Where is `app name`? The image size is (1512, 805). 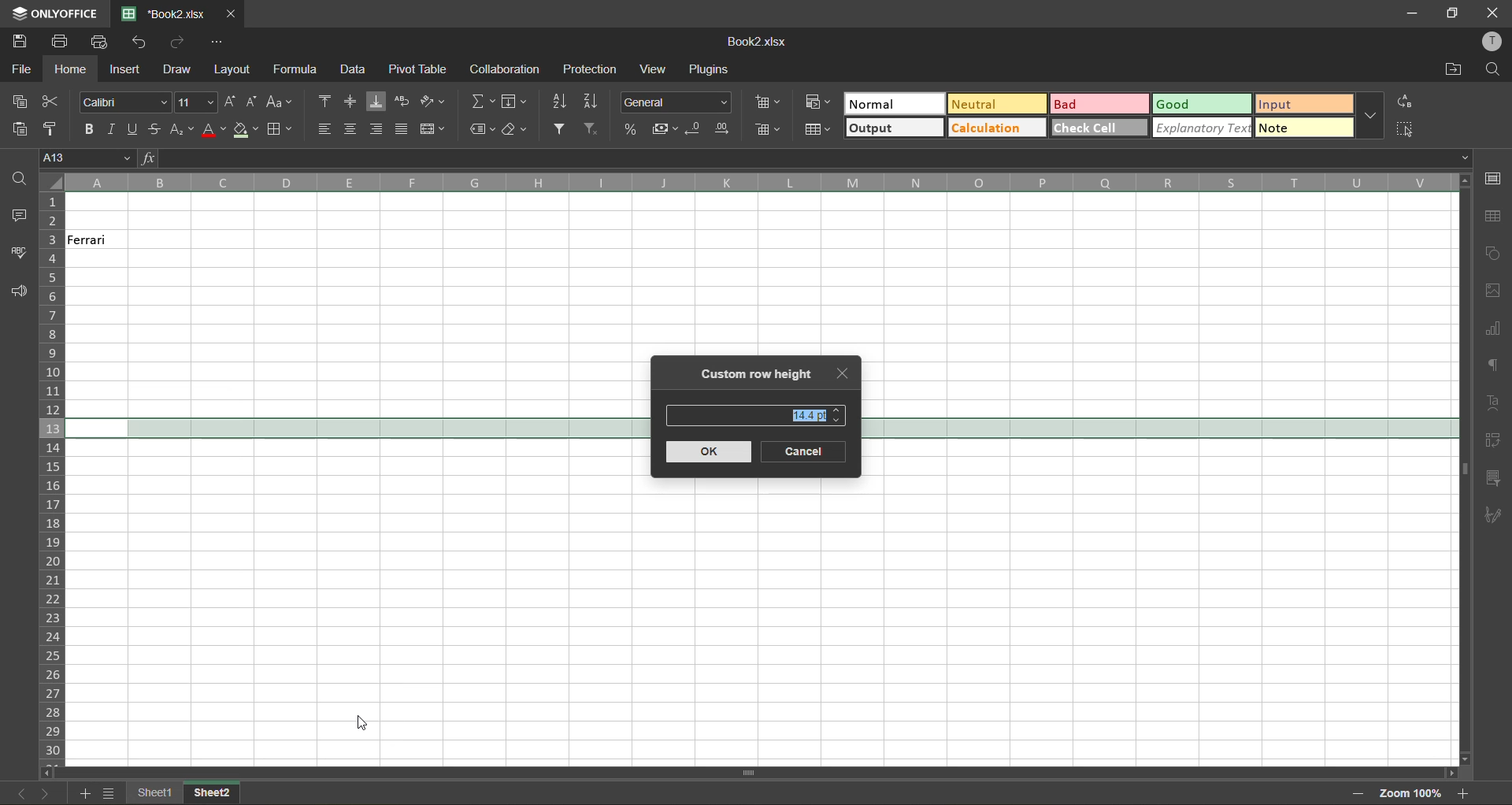 app name is located at coordinates (55, 13).